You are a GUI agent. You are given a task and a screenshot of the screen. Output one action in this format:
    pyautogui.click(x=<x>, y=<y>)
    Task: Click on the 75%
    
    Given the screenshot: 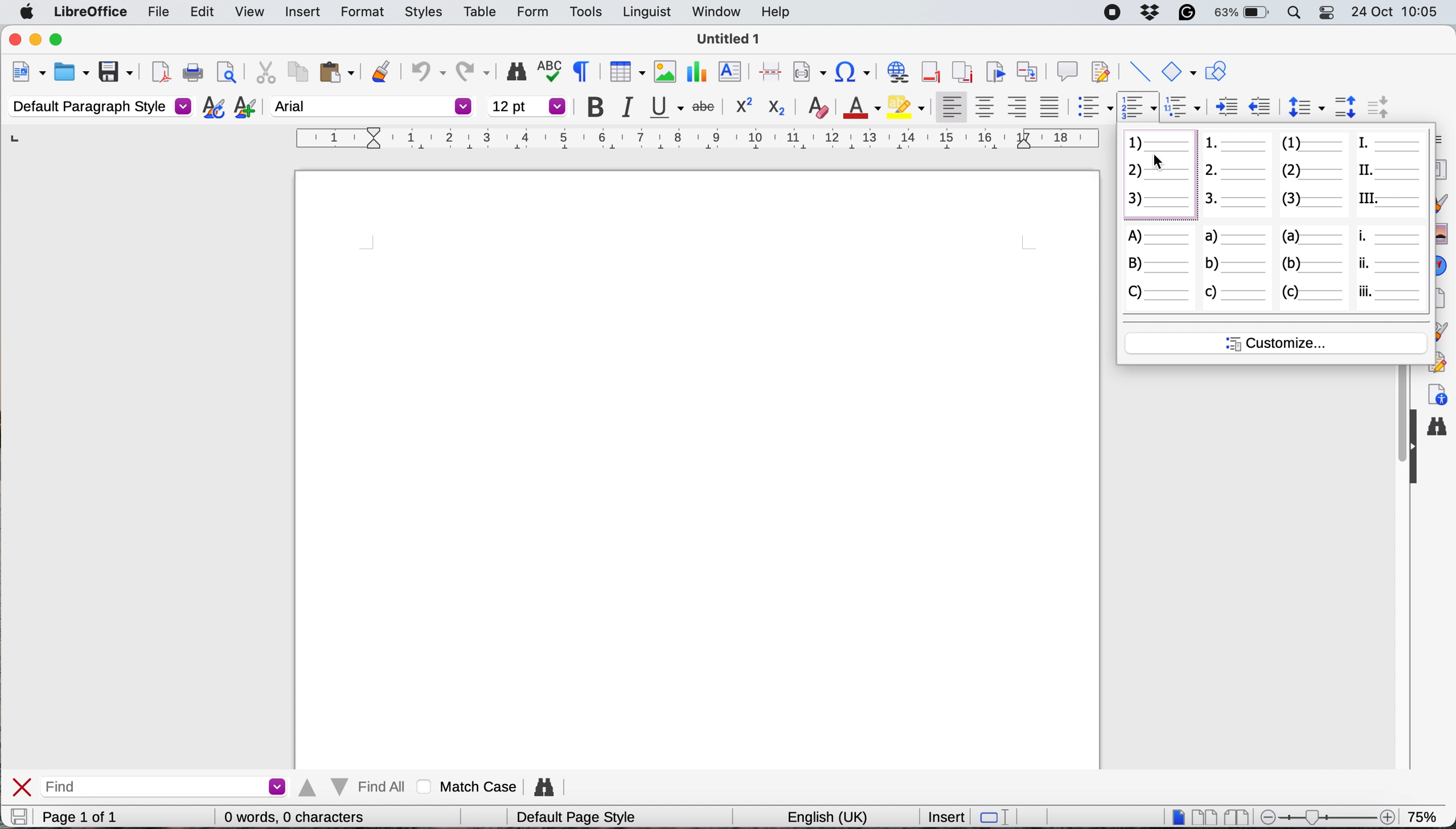 What is the action you would take?
    pyautogui.click(x=1425, y=815)
    